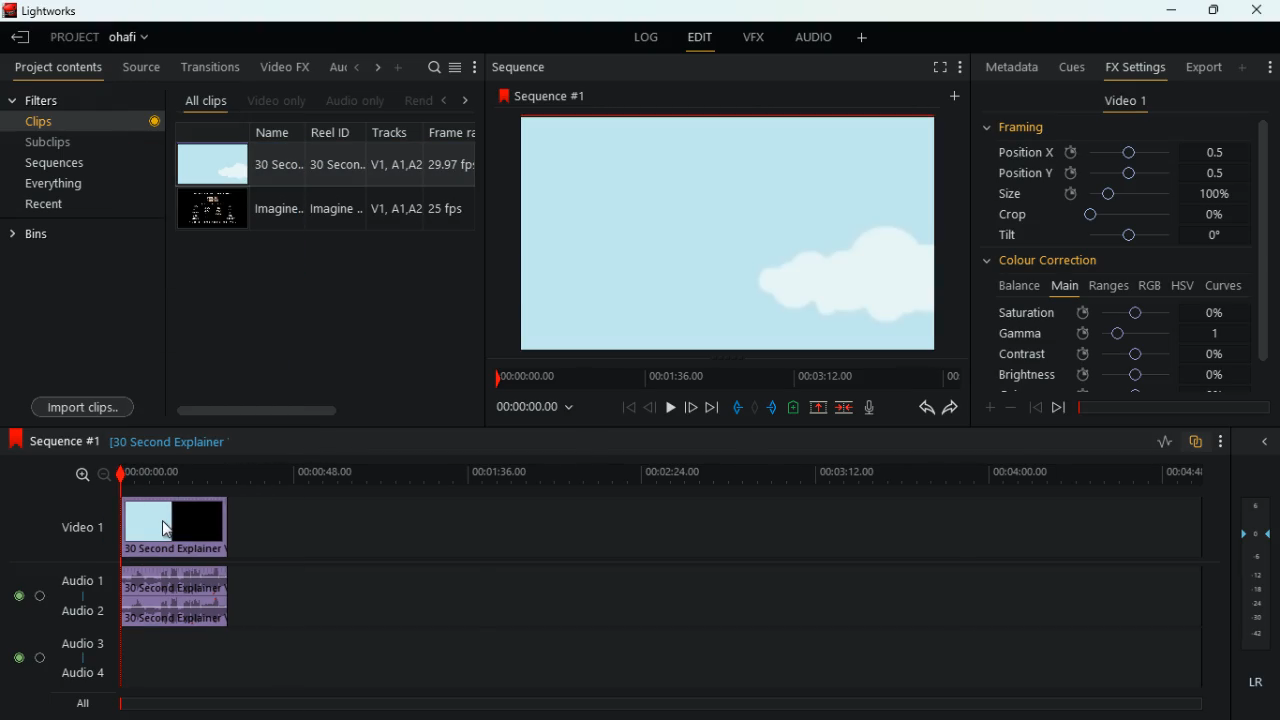 This screenshot has height=720, width=1280. I want to click on back, so click(919, 408).